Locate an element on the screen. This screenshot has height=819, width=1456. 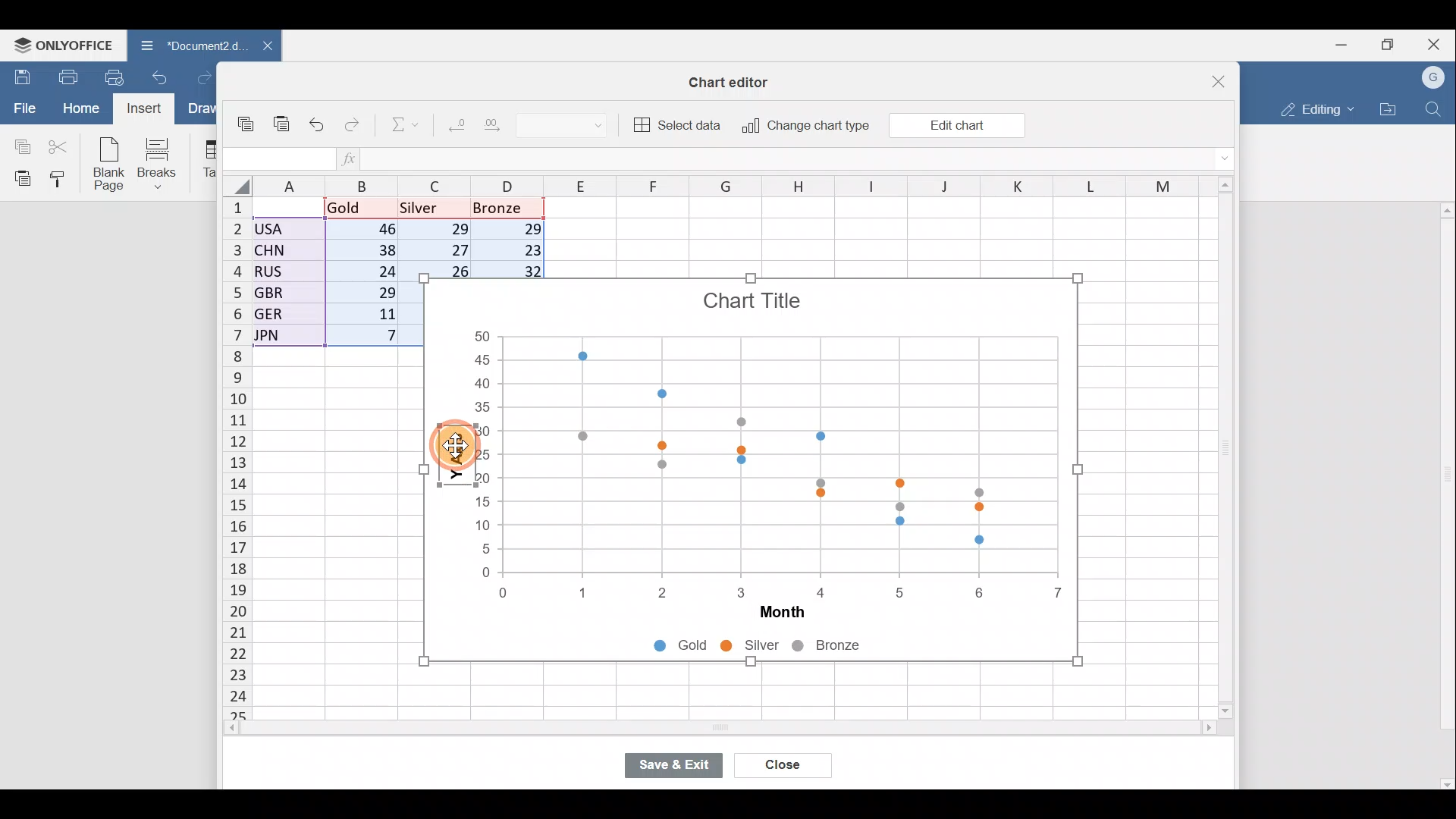
Editing mode is located at coordinates (1313, 109).